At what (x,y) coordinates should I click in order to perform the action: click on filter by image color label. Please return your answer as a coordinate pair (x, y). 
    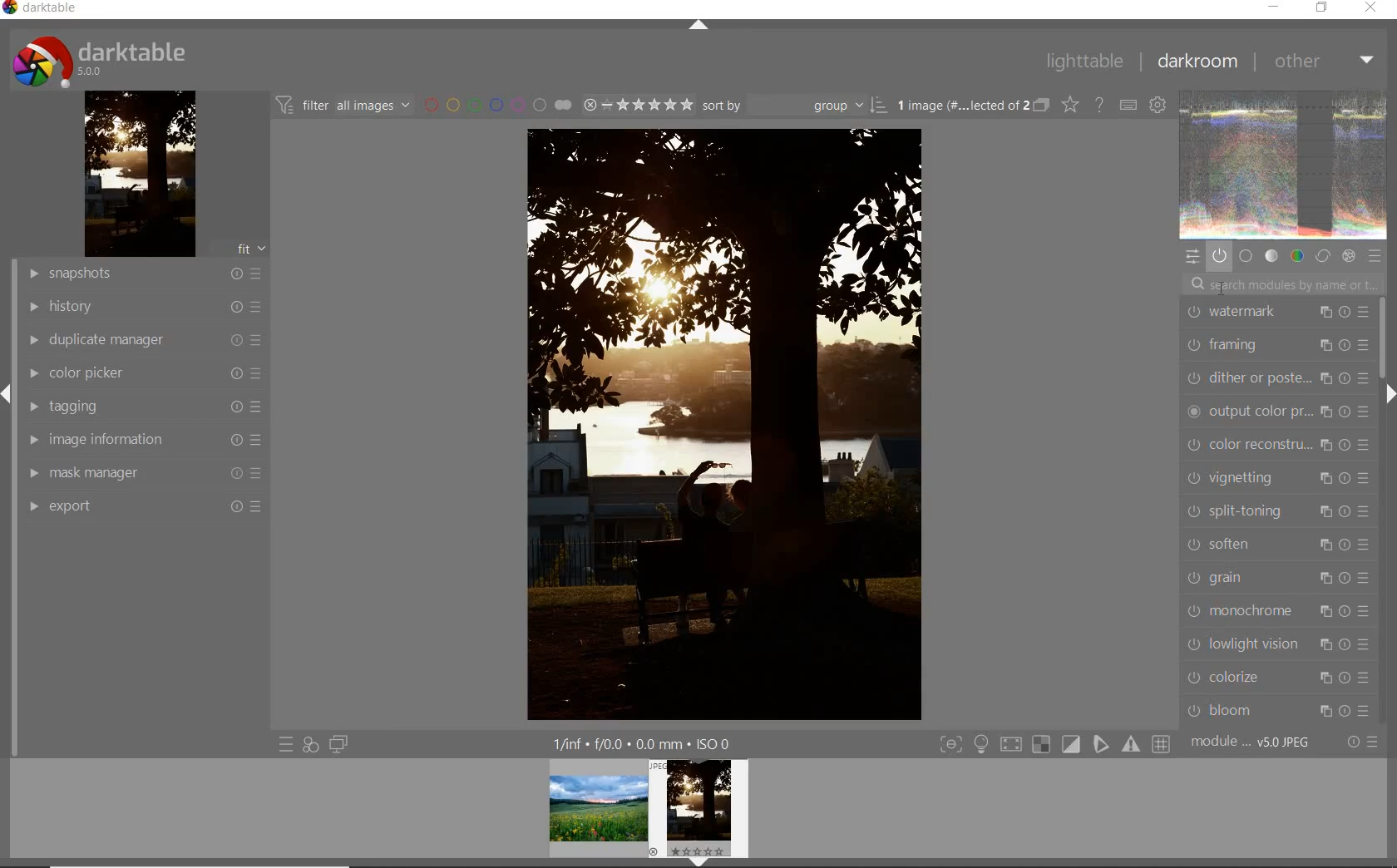
    Looking at the image, I should click on (500, 104).